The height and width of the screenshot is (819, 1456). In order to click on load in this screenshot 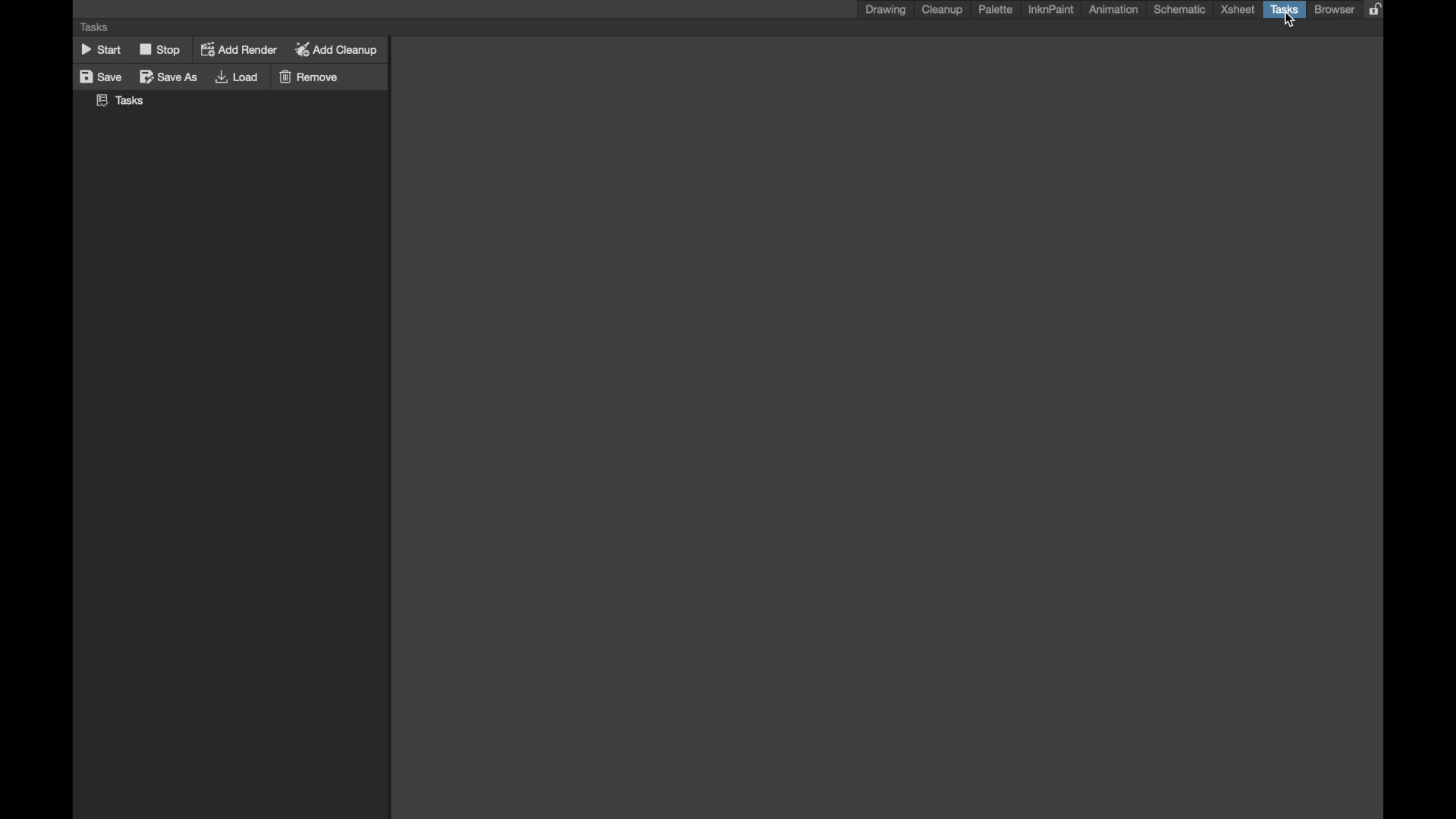, I will do `click(238, 77)`.